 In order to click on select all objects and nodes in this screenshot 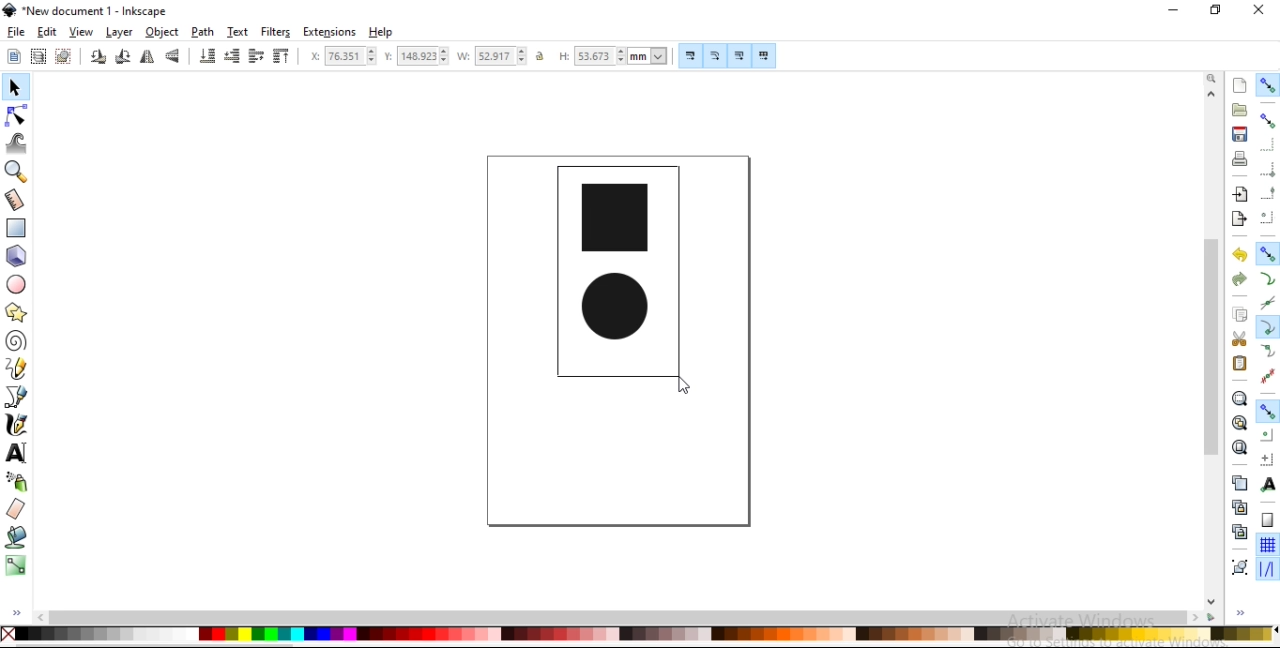, I will do `click(13, 57)`.